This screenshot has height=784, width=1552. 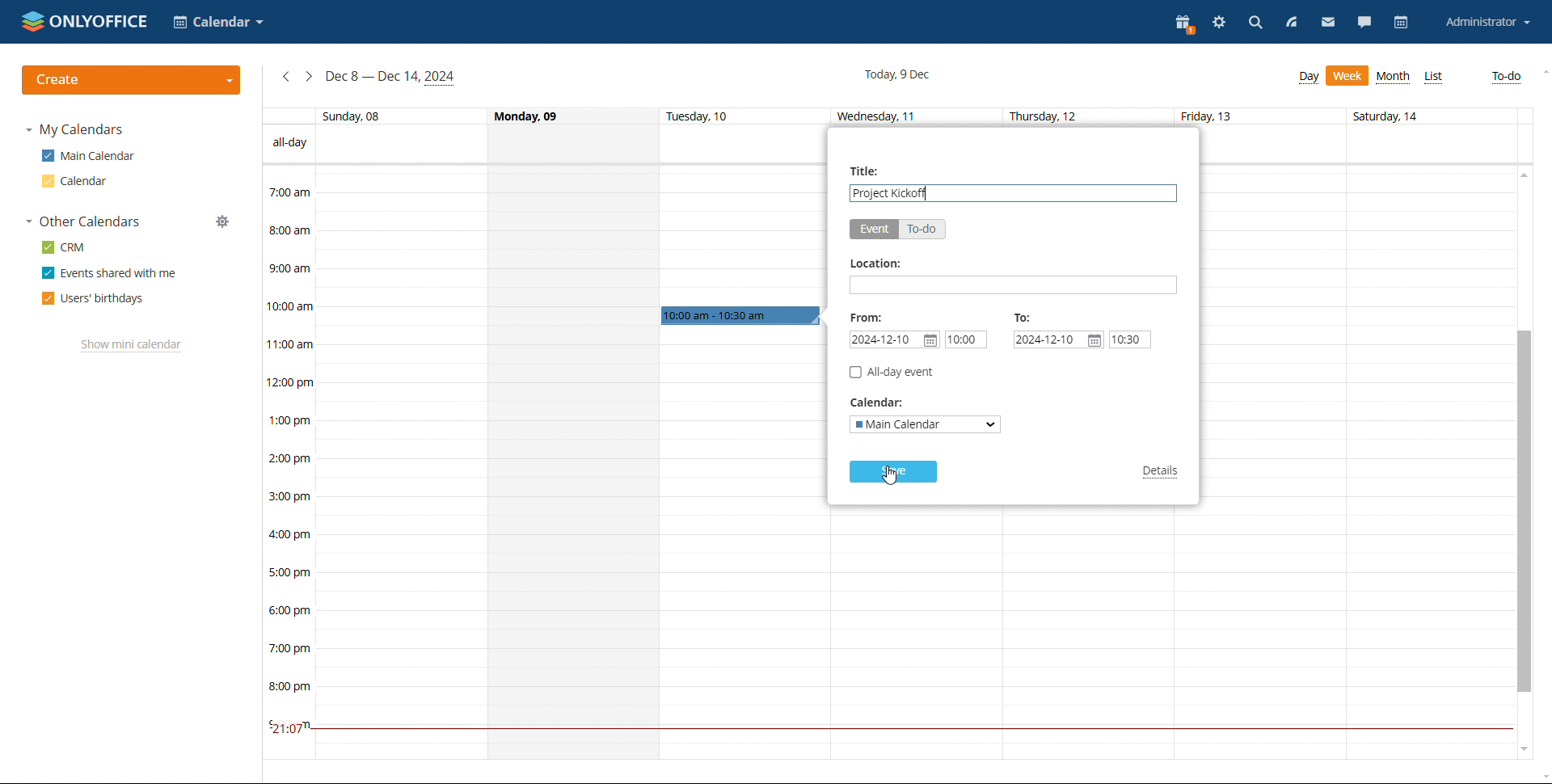 I want to click on manage, so click(x=222, y=222).